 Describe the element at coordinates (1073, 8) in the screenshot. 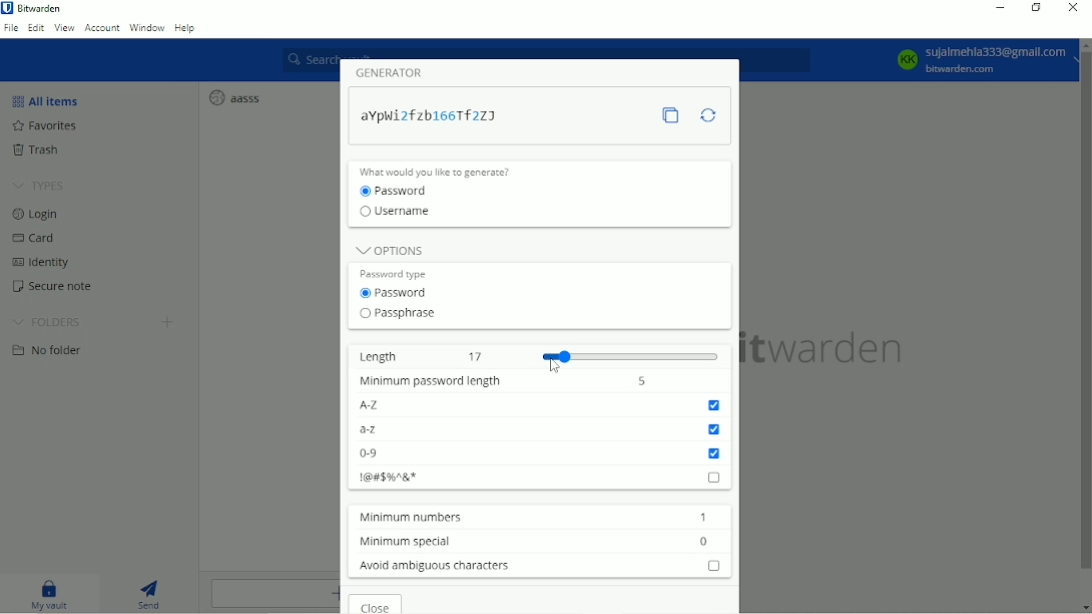

I see `Close` at that location.